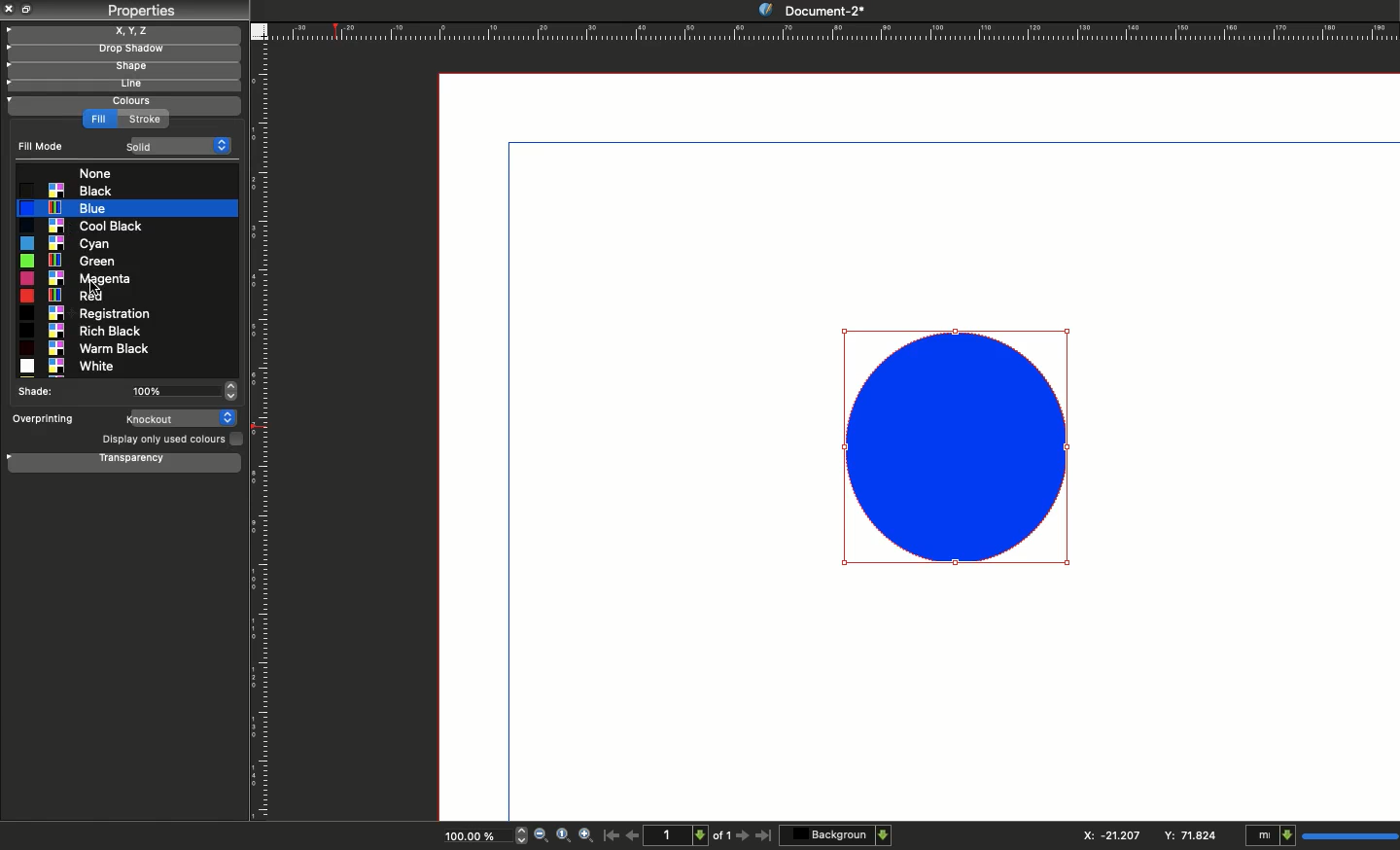 The height and width of the screenshot is (850, 1400). Describe the element at coordinates (722, 838) in the screenshot. I see `of 1` at that location.